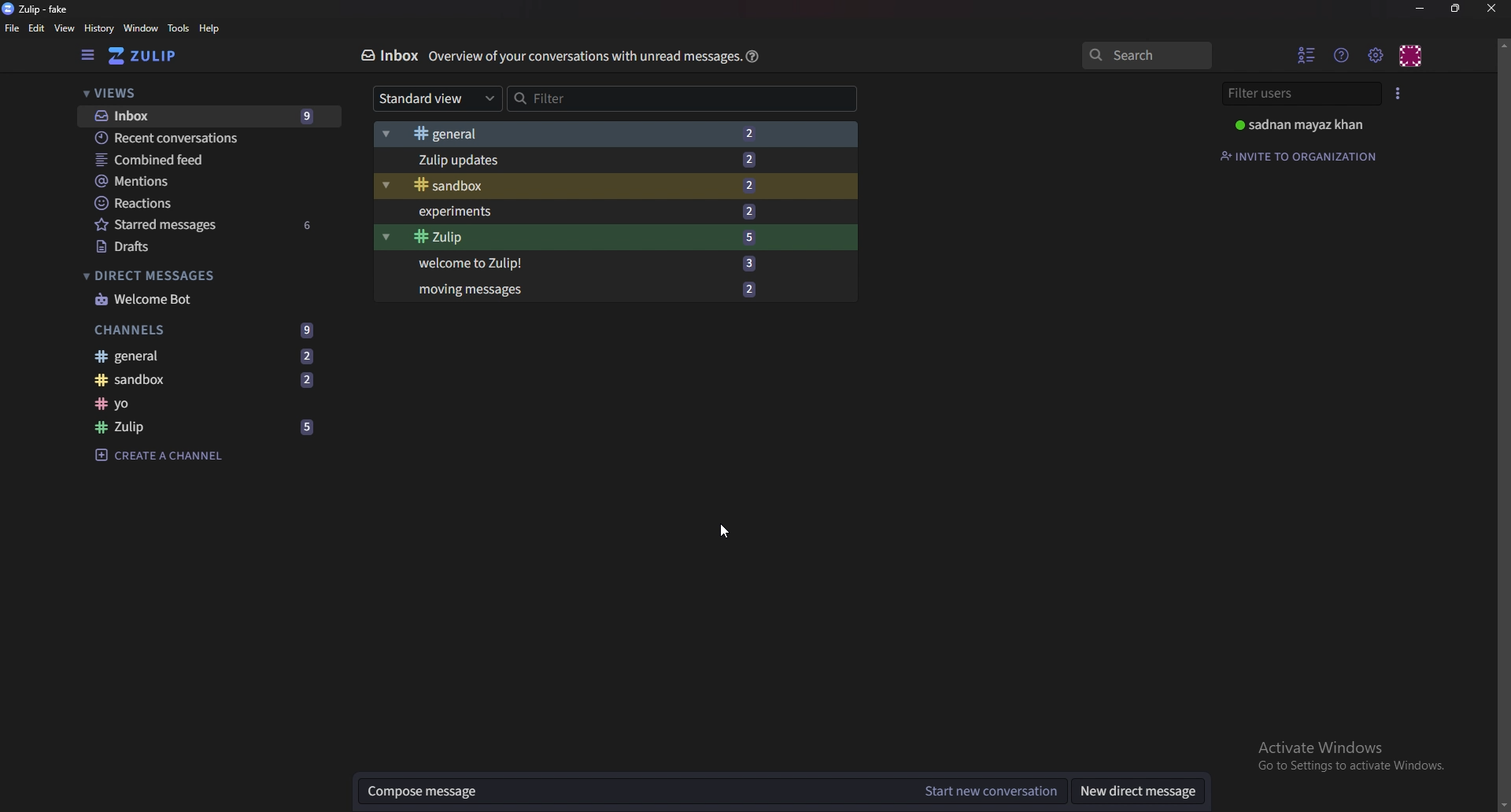 This screenshot has width=1511, height=812. What do you see at coordinates (207, 182) in the screenshot?
I see `Mentions` at bounding box center [207, 182].